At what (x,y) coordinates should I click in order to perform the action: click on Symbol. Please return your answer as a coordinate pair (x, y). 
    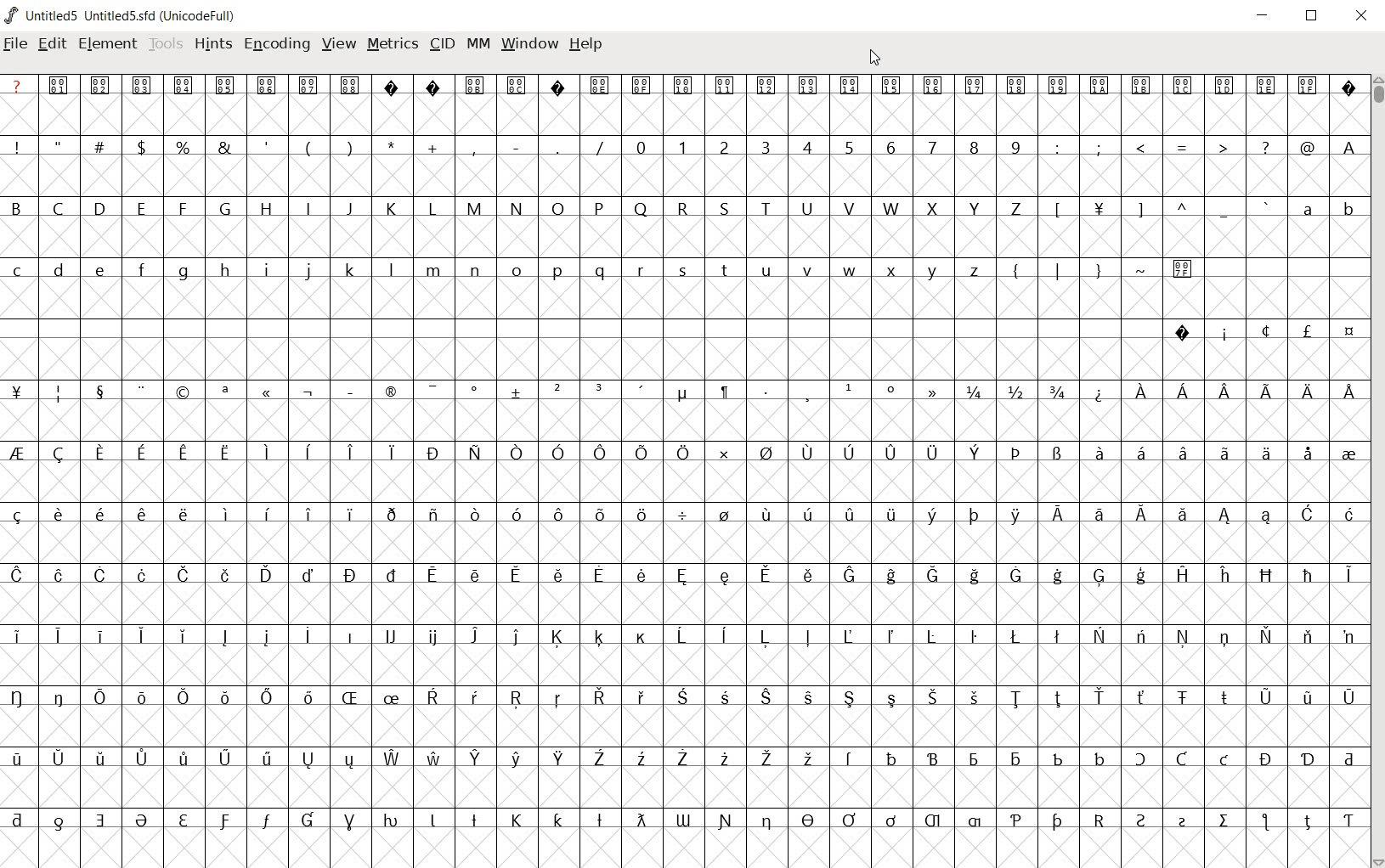
    Looking at the image, I should click on (1184, 637).